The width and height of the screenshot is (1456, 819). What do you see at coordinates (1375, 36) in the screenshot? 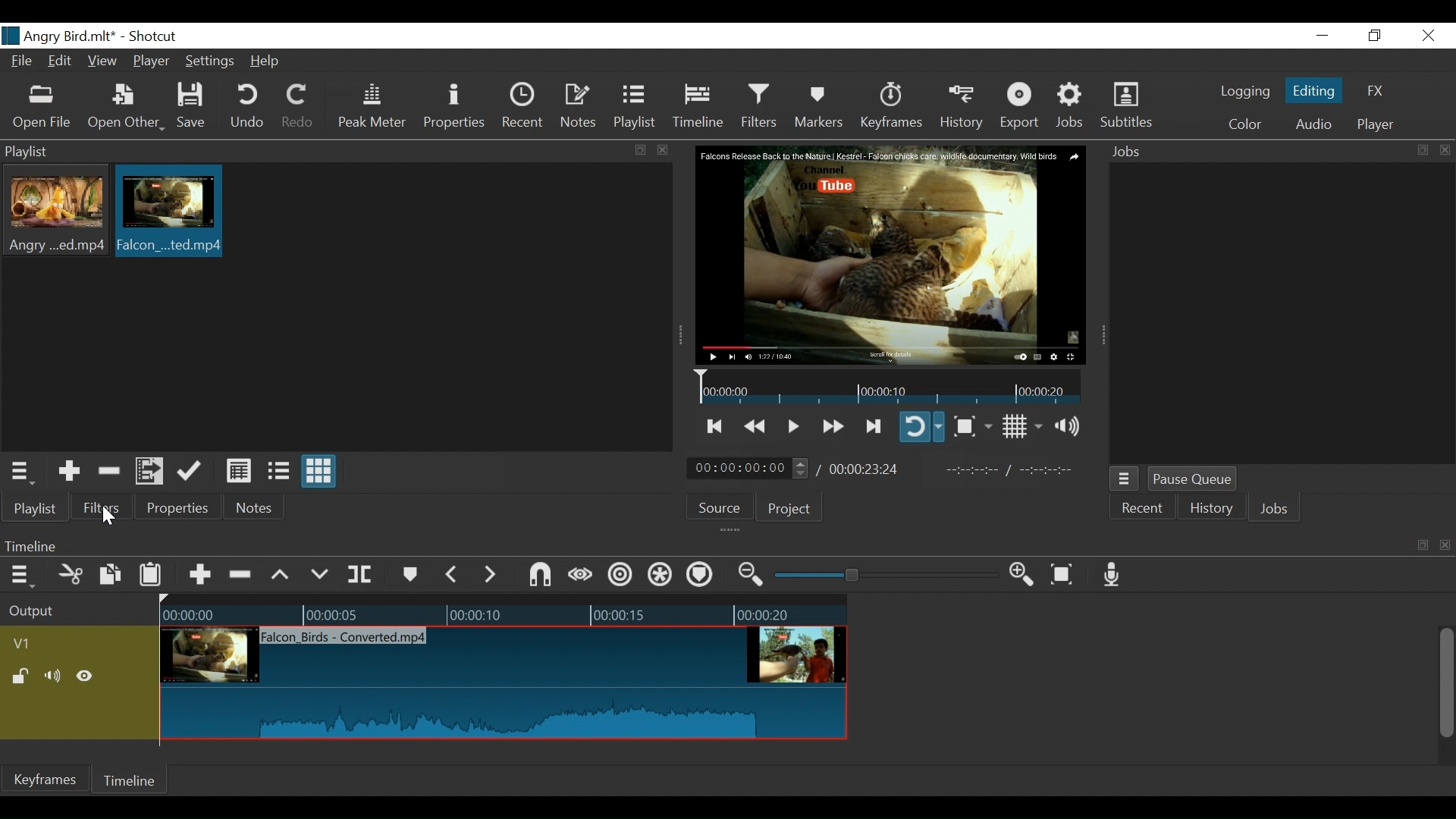
I see `Restore` at bounding box center [1375, 36].